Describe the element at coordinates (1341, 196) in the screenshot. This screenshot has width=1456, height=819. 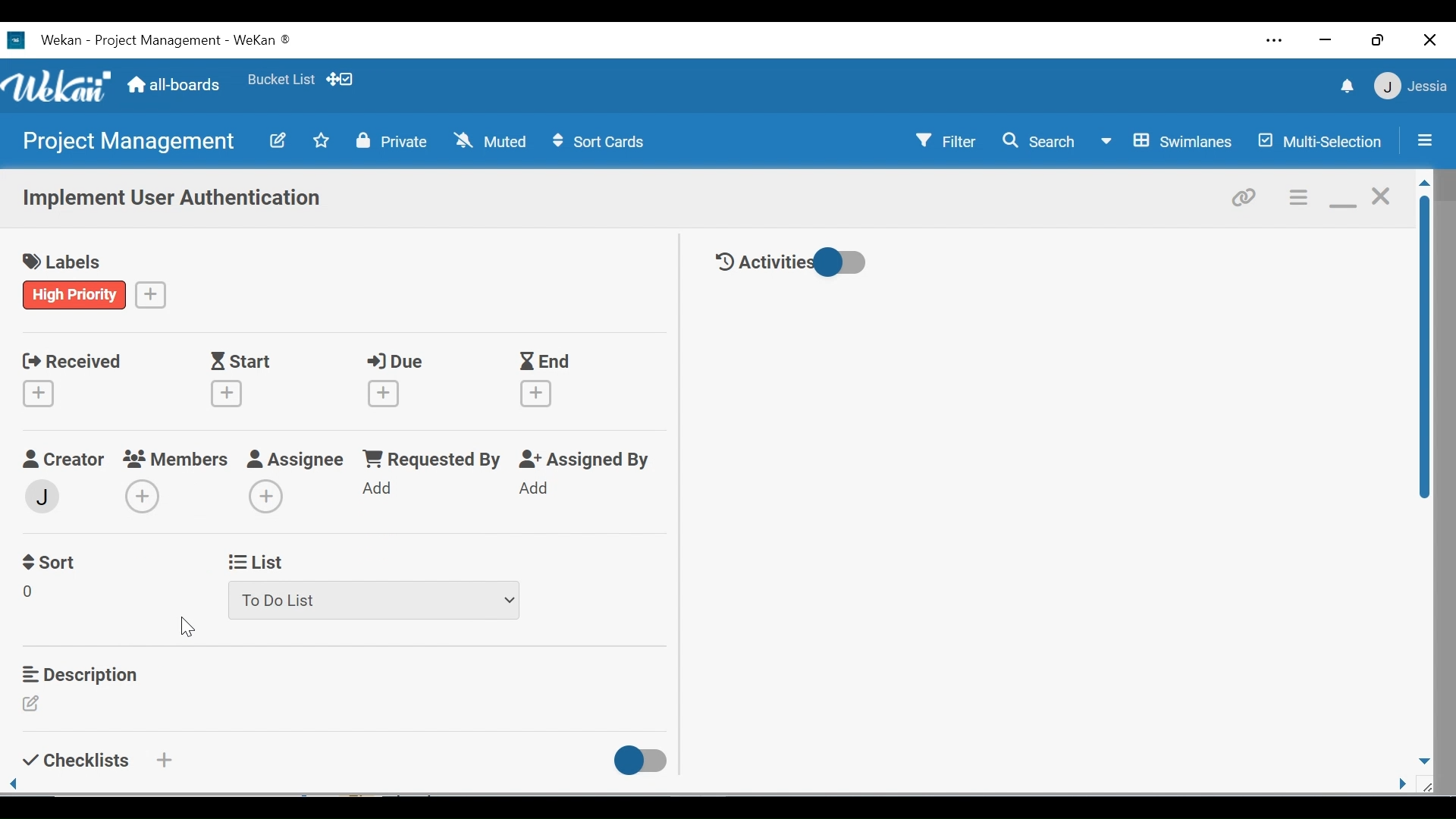
I see `minimize` at that location.